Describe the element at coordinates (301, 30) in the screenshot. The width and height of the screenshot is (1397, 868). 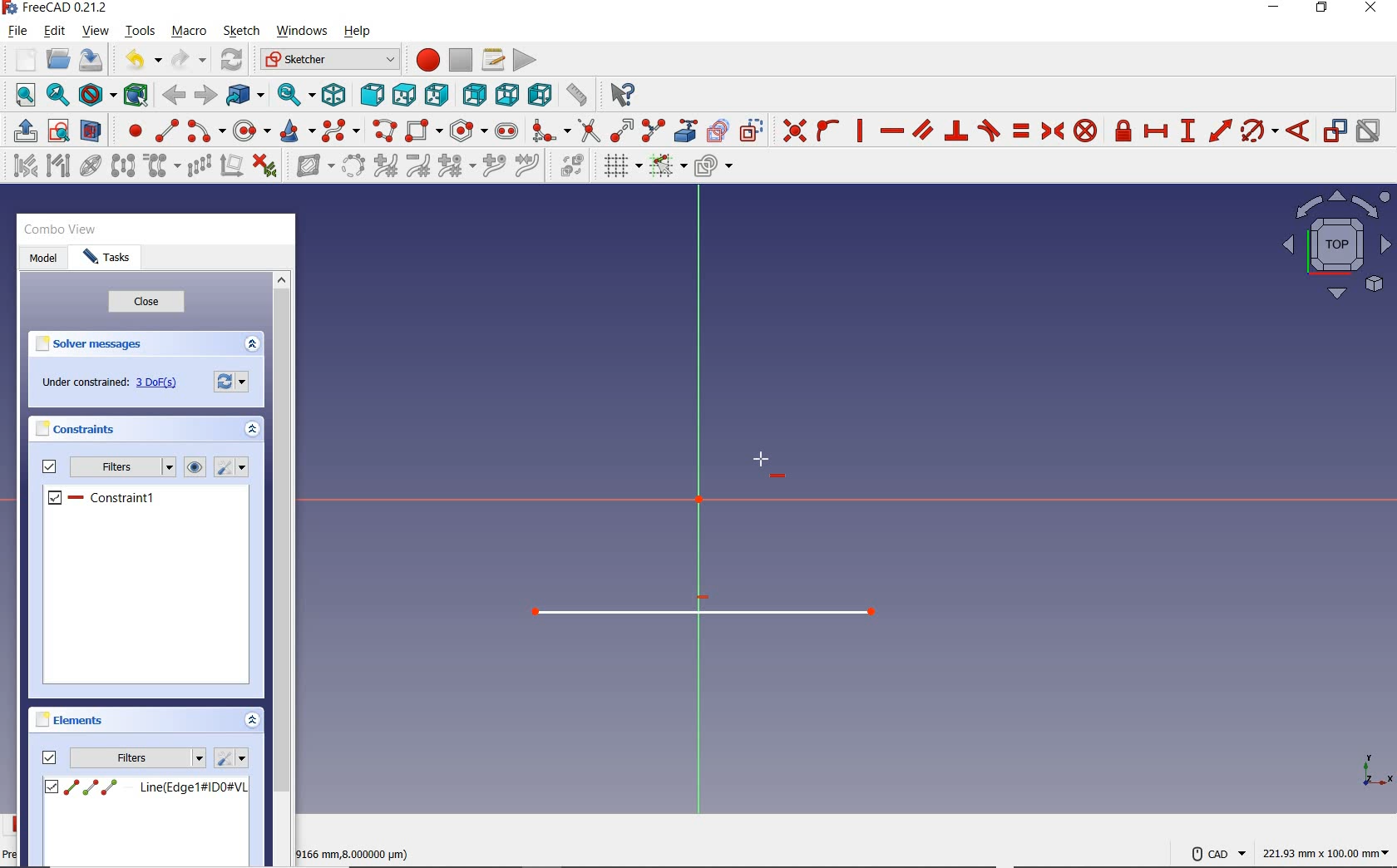
I see `WINDOWS` at that location.